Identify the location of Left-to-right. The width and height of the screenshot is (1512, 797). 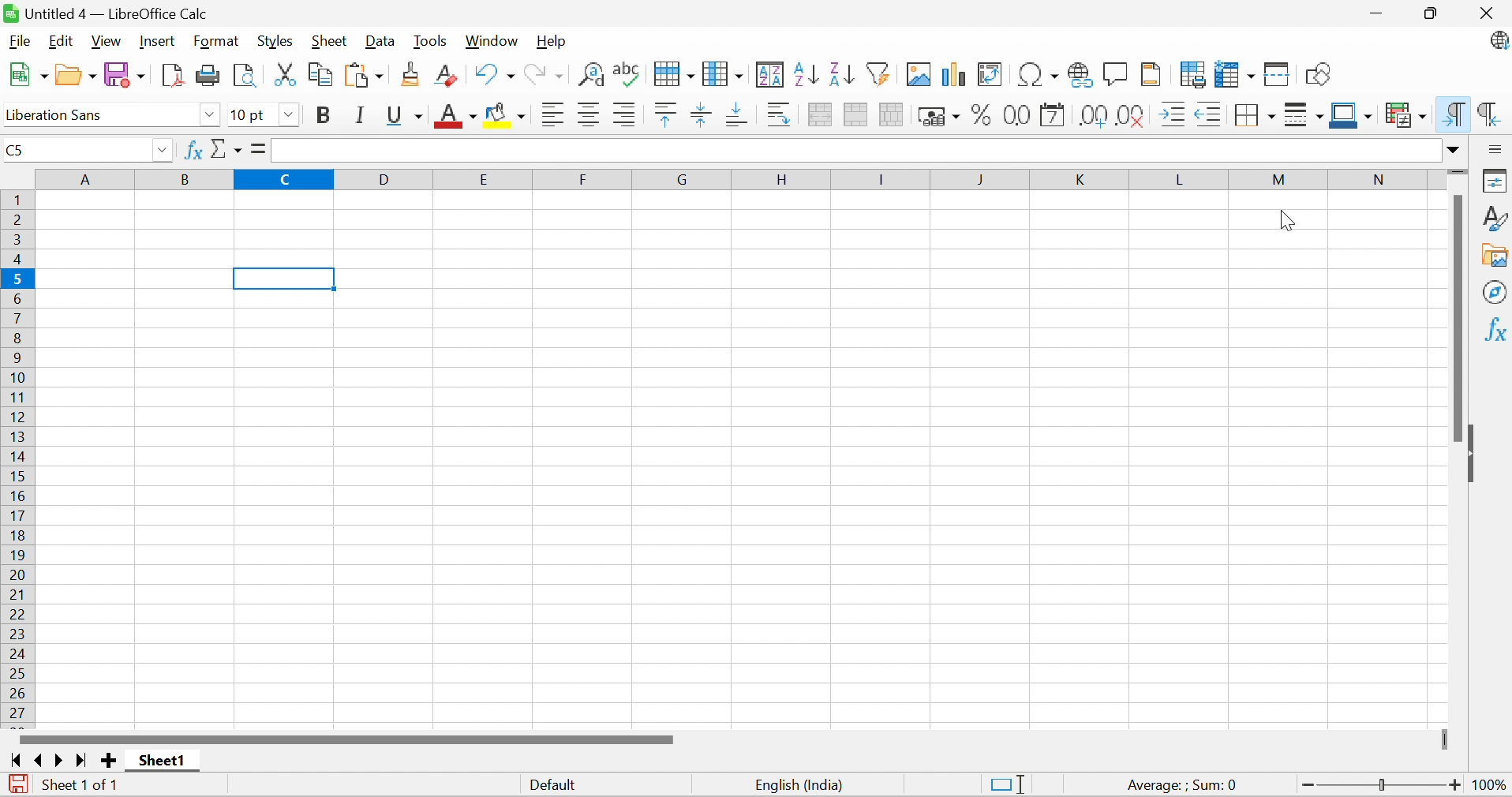
(1452, 114).